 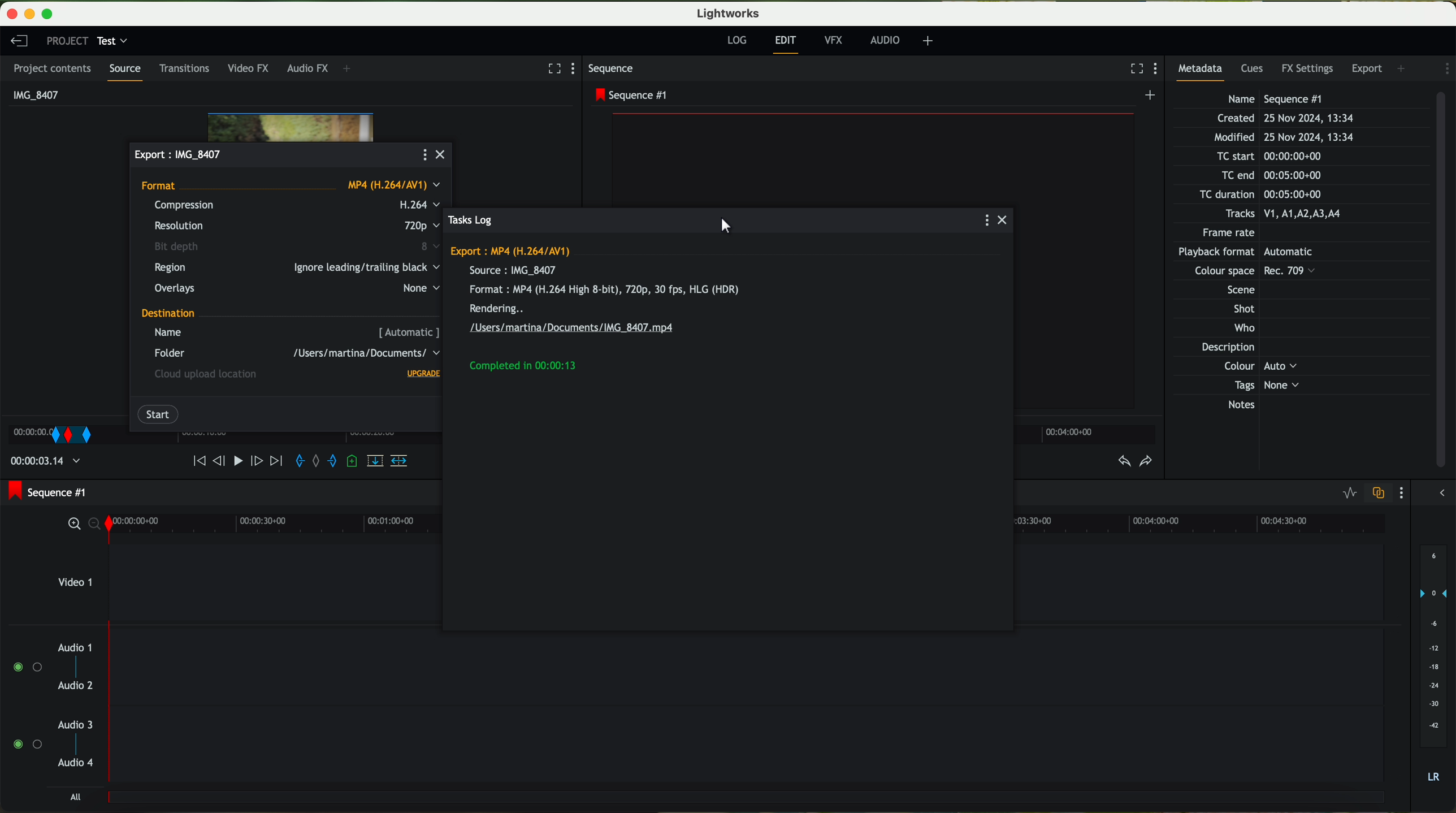 I want to click on fullscreen, so click(x=1132, y=68).